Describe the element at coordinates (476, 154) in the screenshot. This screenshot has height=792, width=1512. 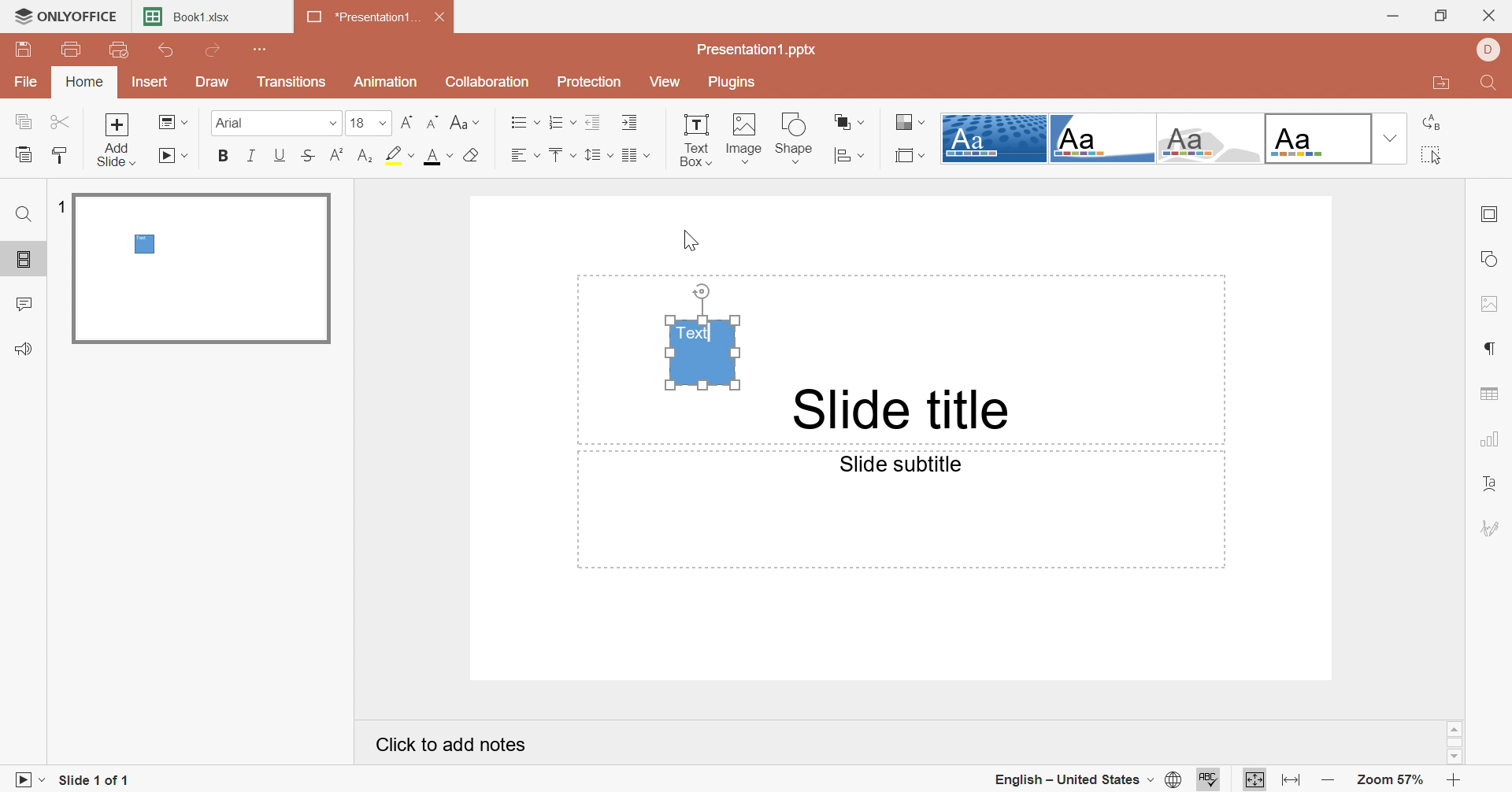
I see `Clear` at that location.